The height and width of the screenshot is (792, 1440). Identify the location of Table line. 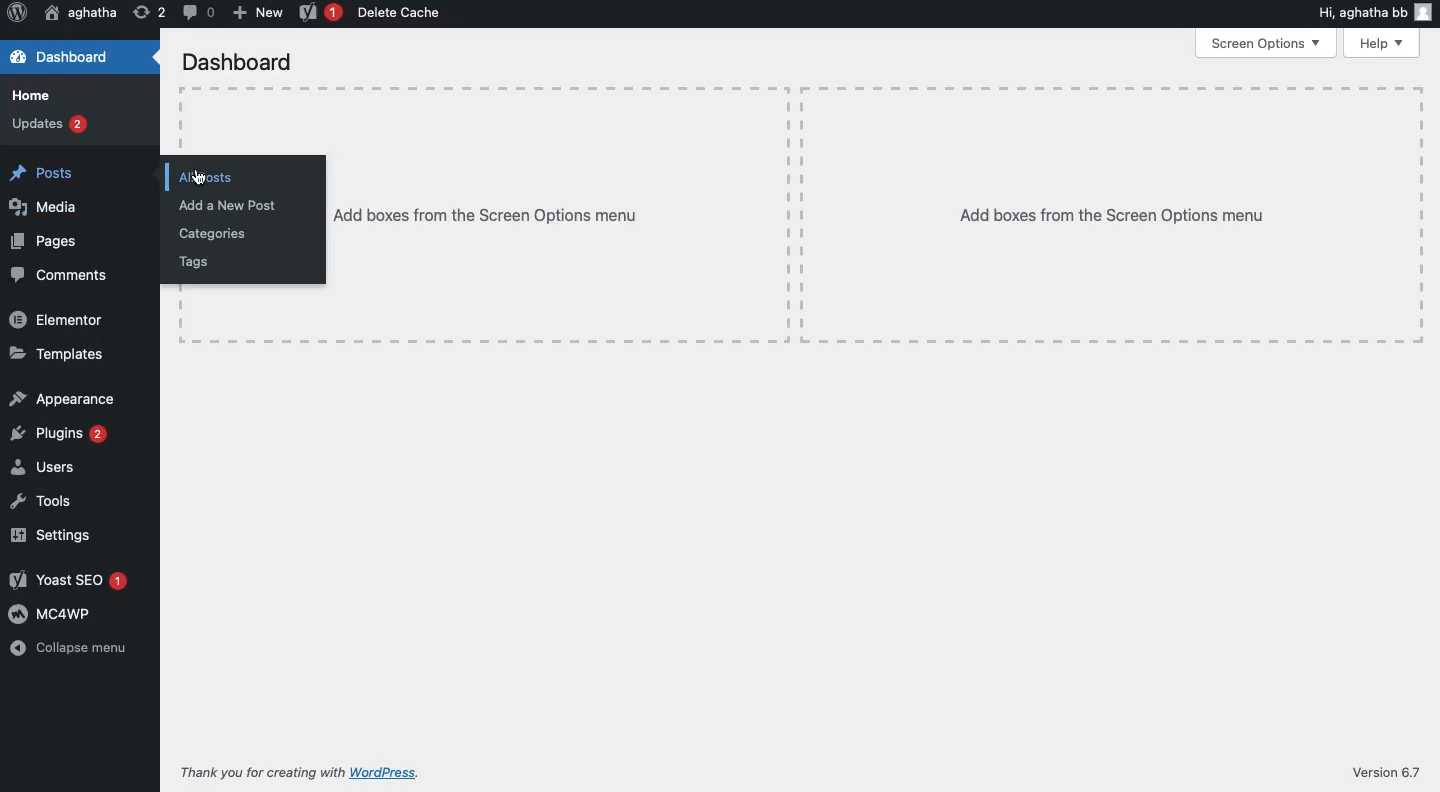
(798, 212).